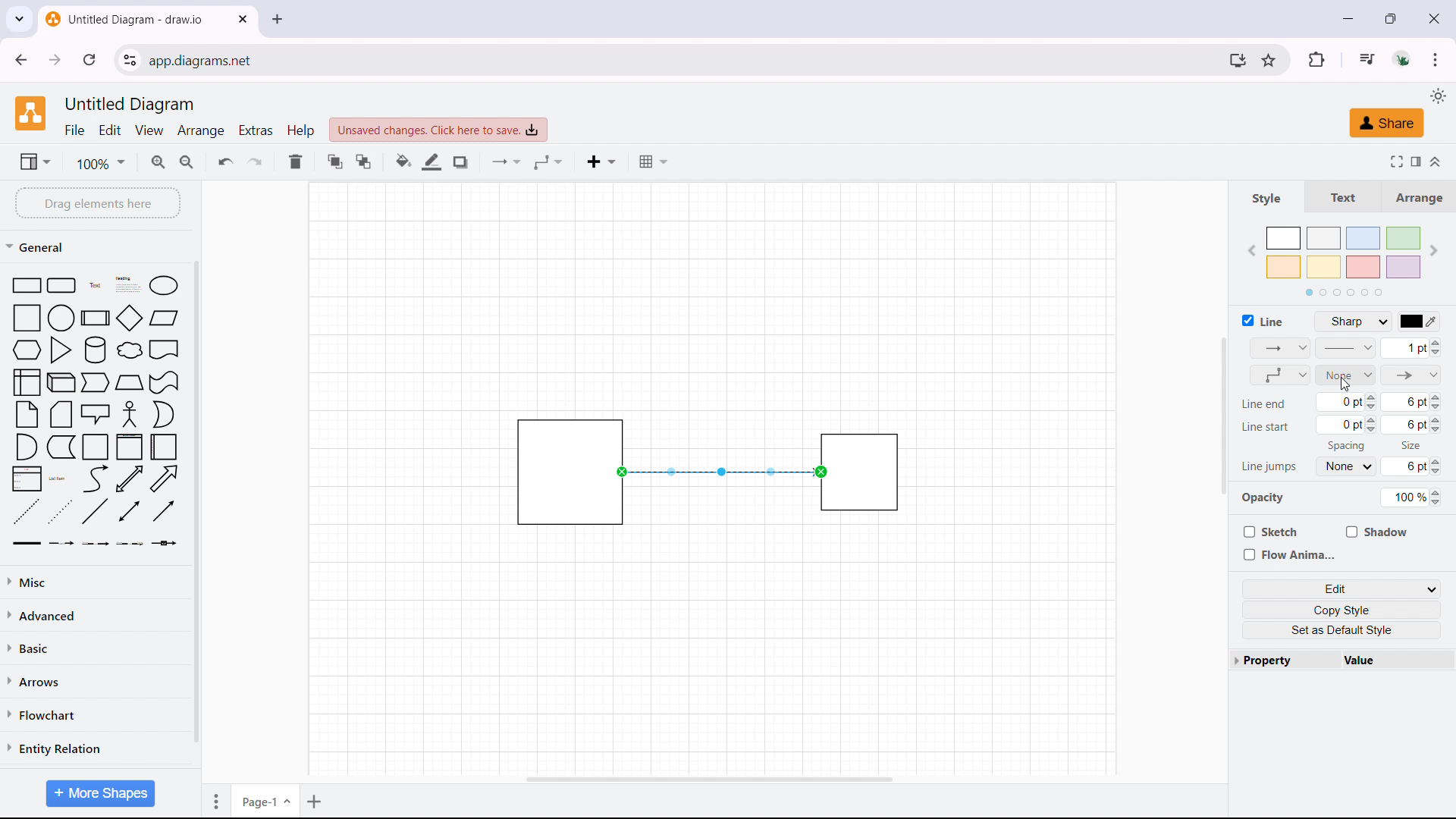  What do you see at coordinates (1412, 375) in the screenshot?
I see `line end` at bounding box center [1412, 375].